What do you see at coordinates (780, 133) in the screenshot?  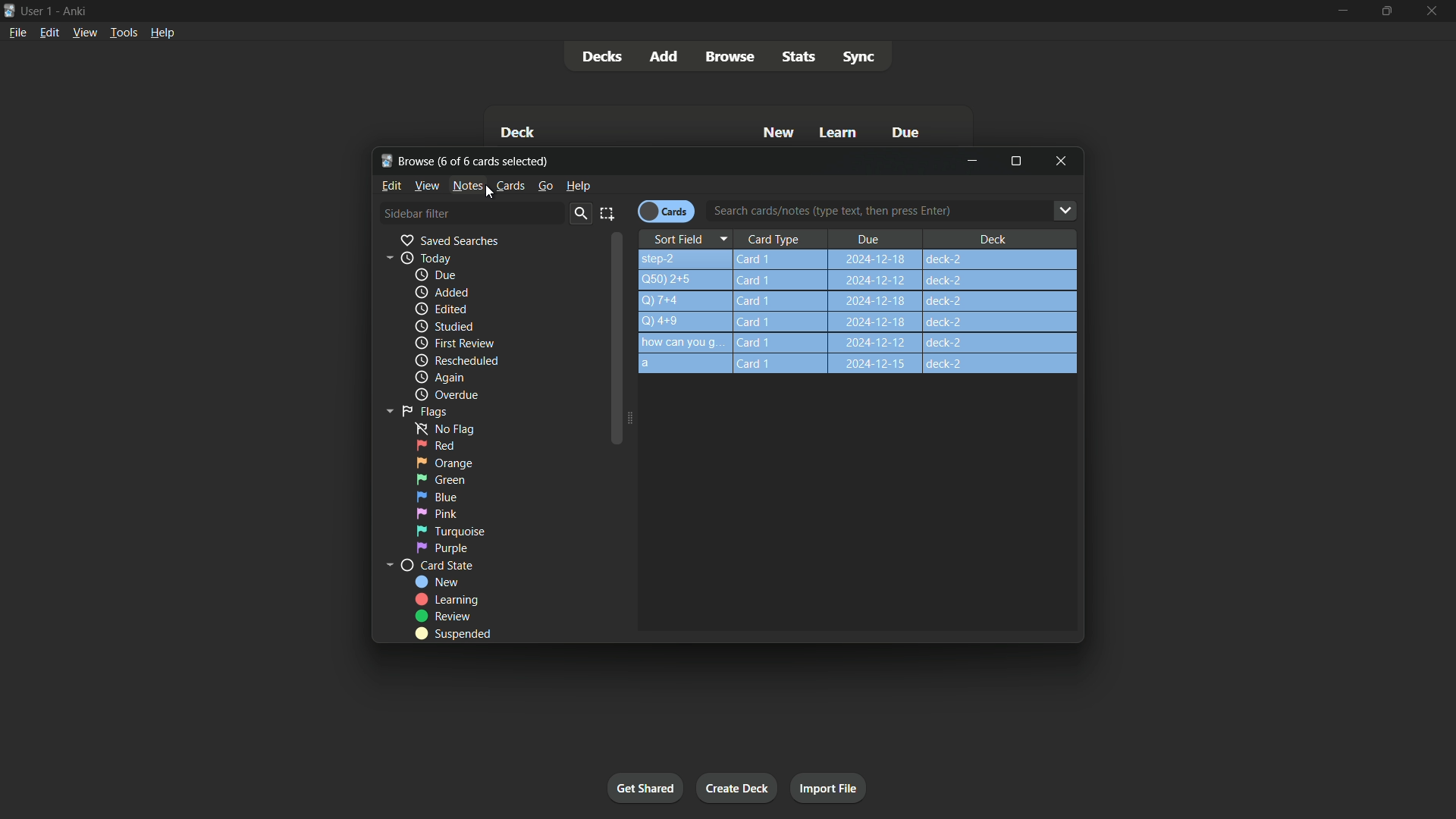 I see `New` at bounding box center [780, 133].